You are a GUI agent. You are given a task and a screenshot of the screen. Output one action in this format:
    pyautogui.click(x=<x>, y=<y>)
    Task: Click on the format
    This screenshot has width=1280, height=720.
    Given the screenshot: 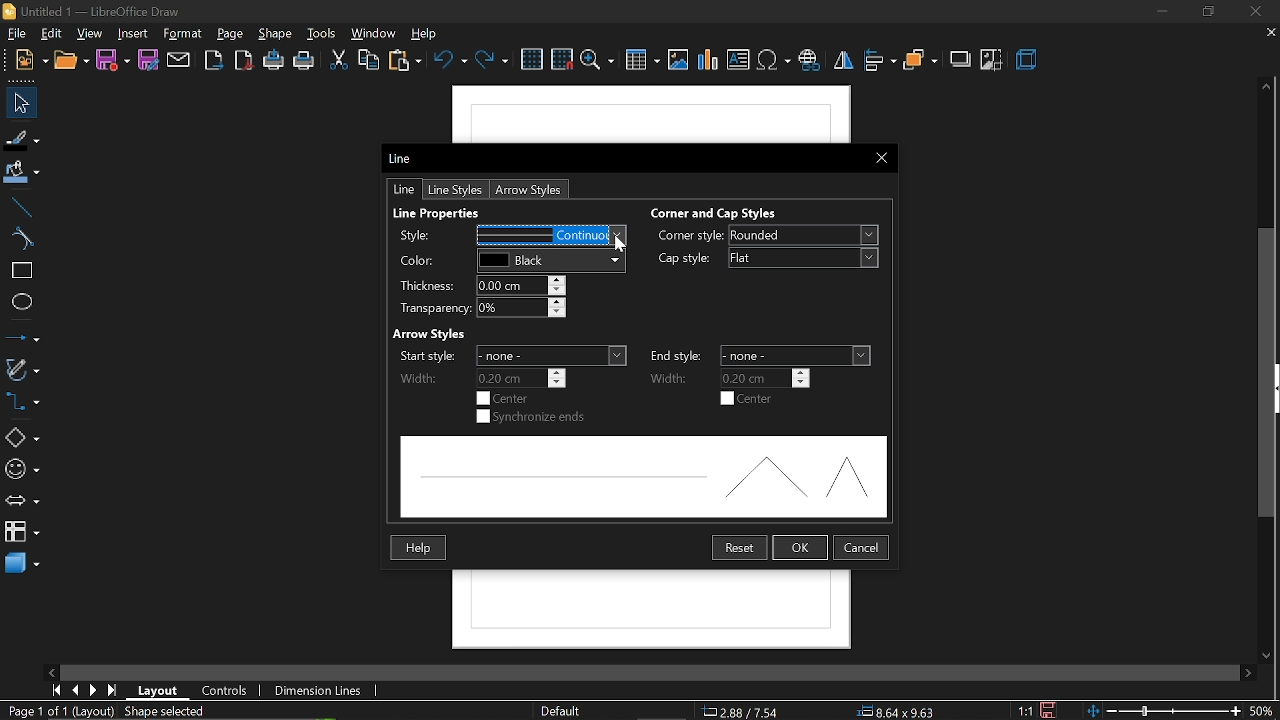 What is the action you would take?
    pyautogui.click(x=183, y=34)
    